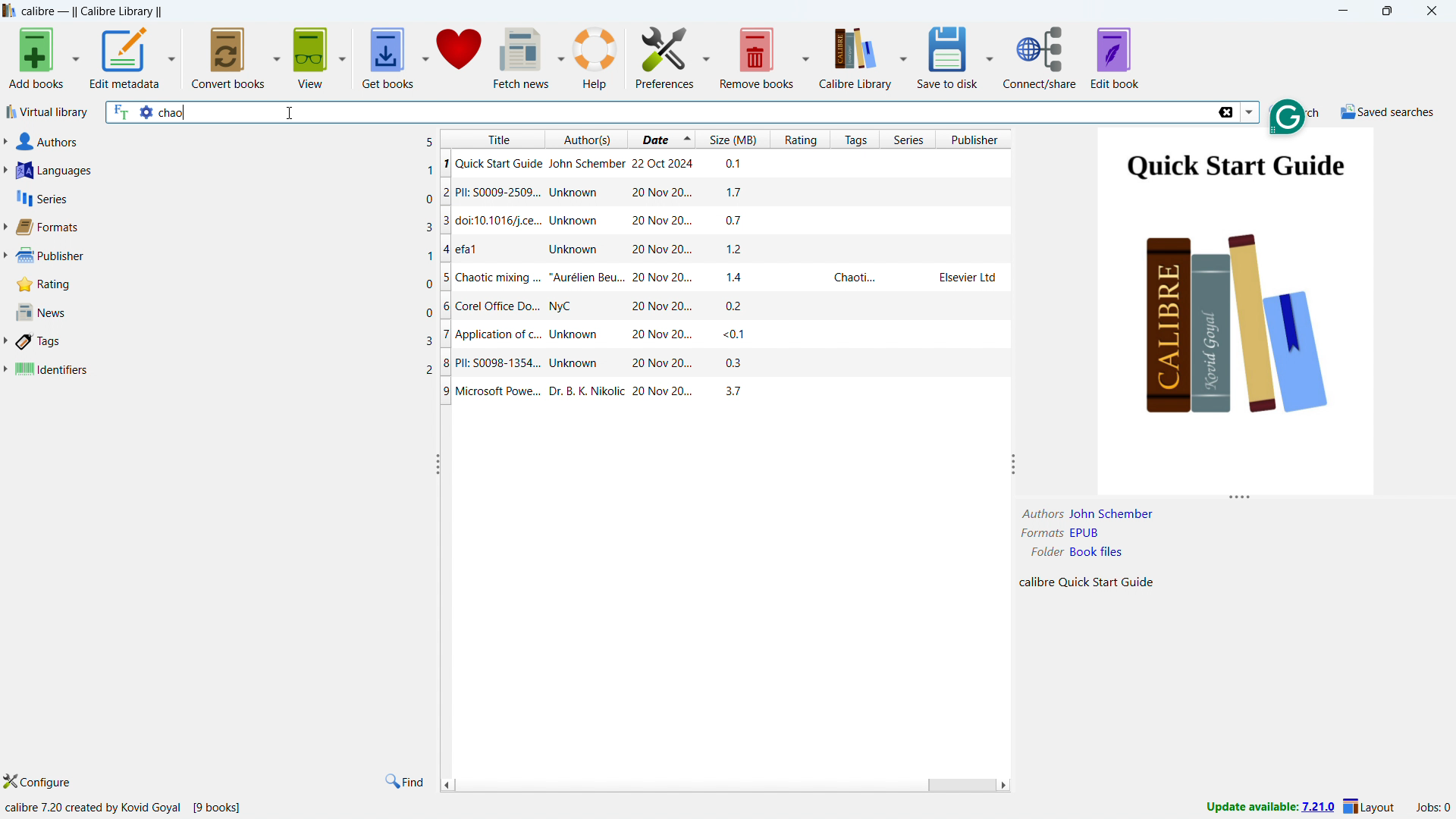 The width and height of the screenshot is (1456, 819). Describe the element at coordinates (224, 255) in the screenshot. I see `publisher` at that location.